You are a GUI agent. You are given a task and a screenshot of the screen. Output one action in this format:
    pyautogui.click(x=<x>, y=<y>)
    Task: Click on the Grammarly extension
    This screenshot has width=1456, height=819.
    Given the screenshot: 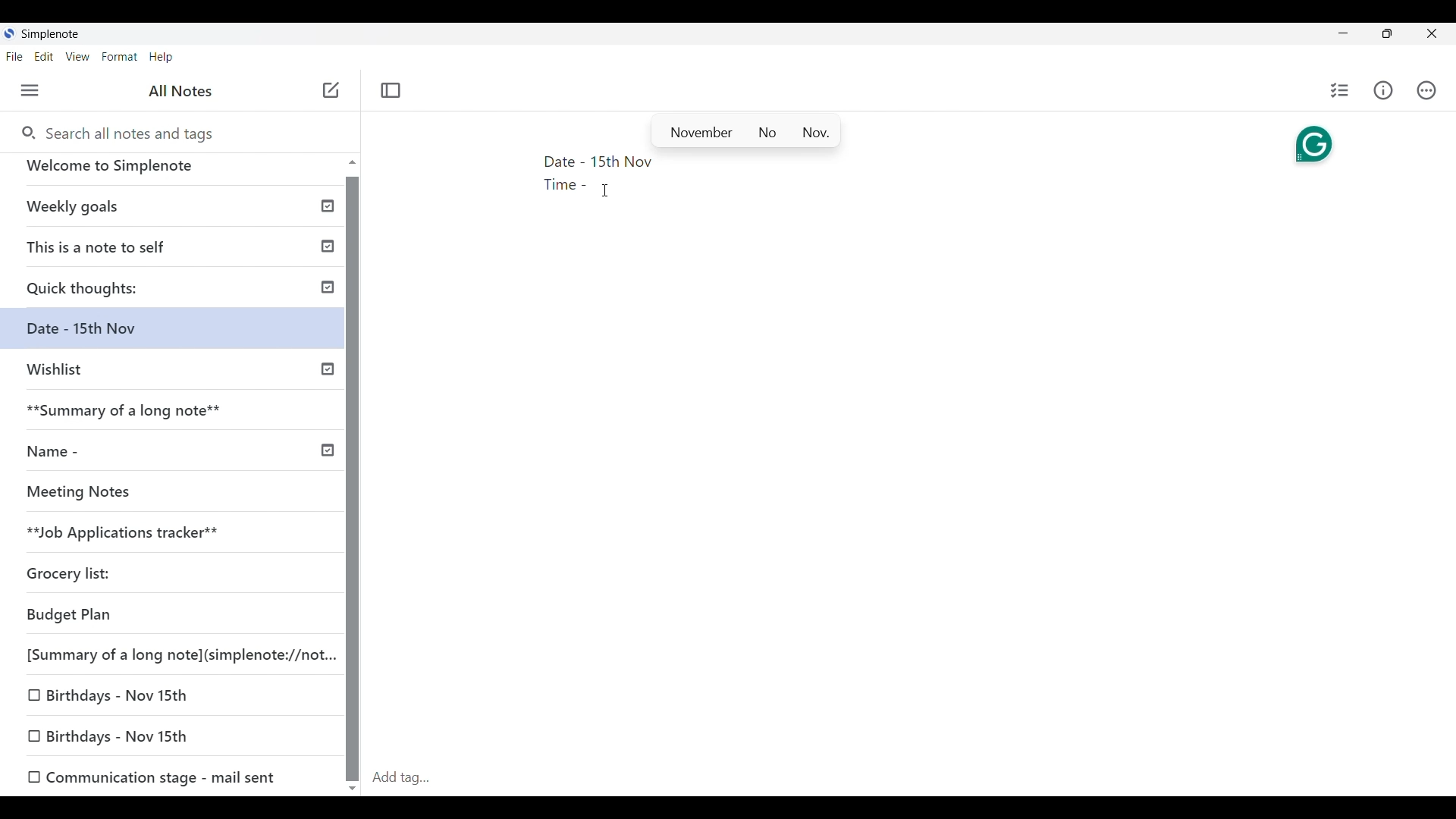 What is the action you would take?
    pyautogui.click(x=1314, y=146)
    